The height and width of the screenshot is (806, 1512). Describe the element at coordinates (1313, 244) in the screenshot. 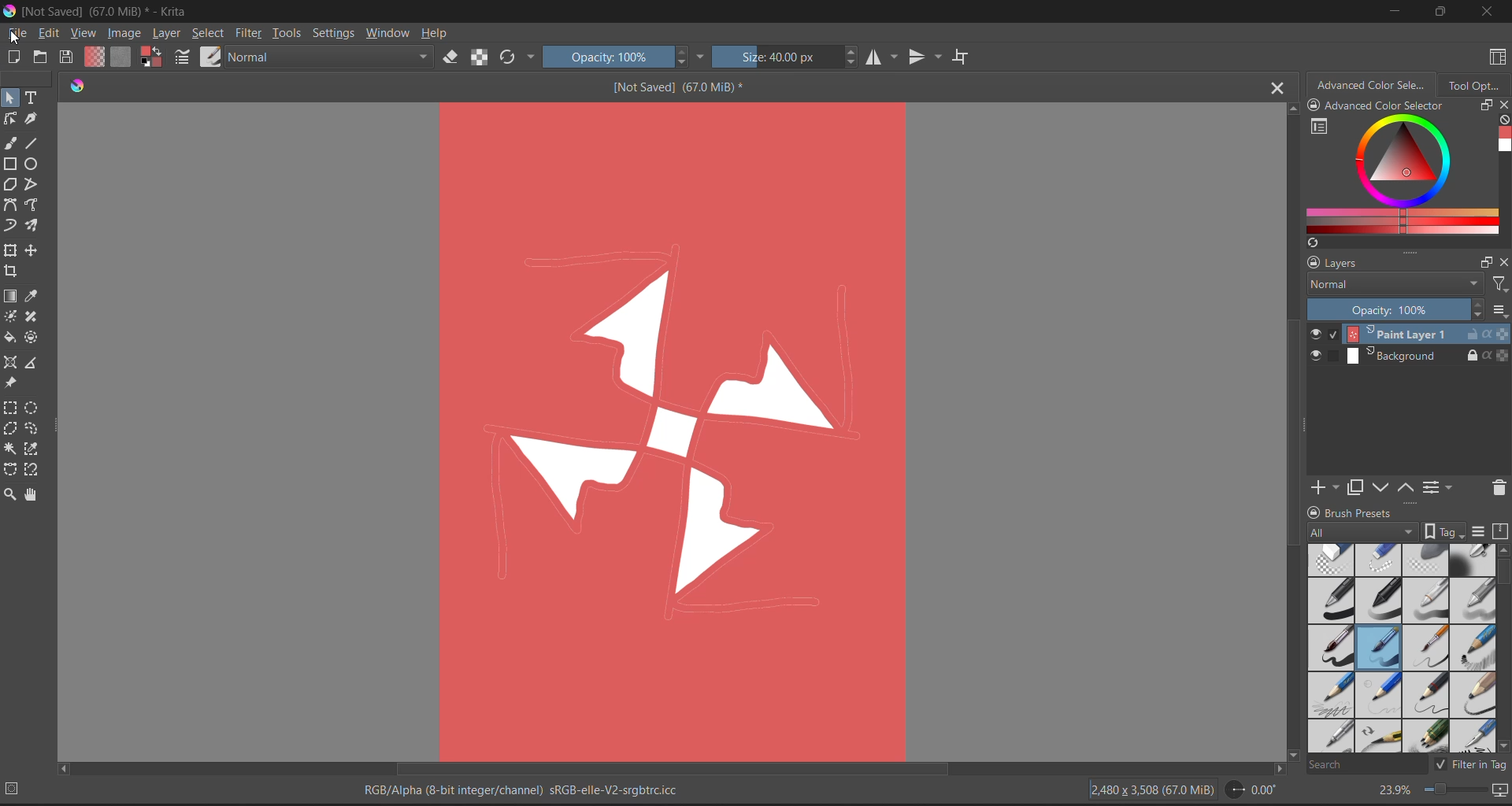

I see `create a list of colors` at that location.